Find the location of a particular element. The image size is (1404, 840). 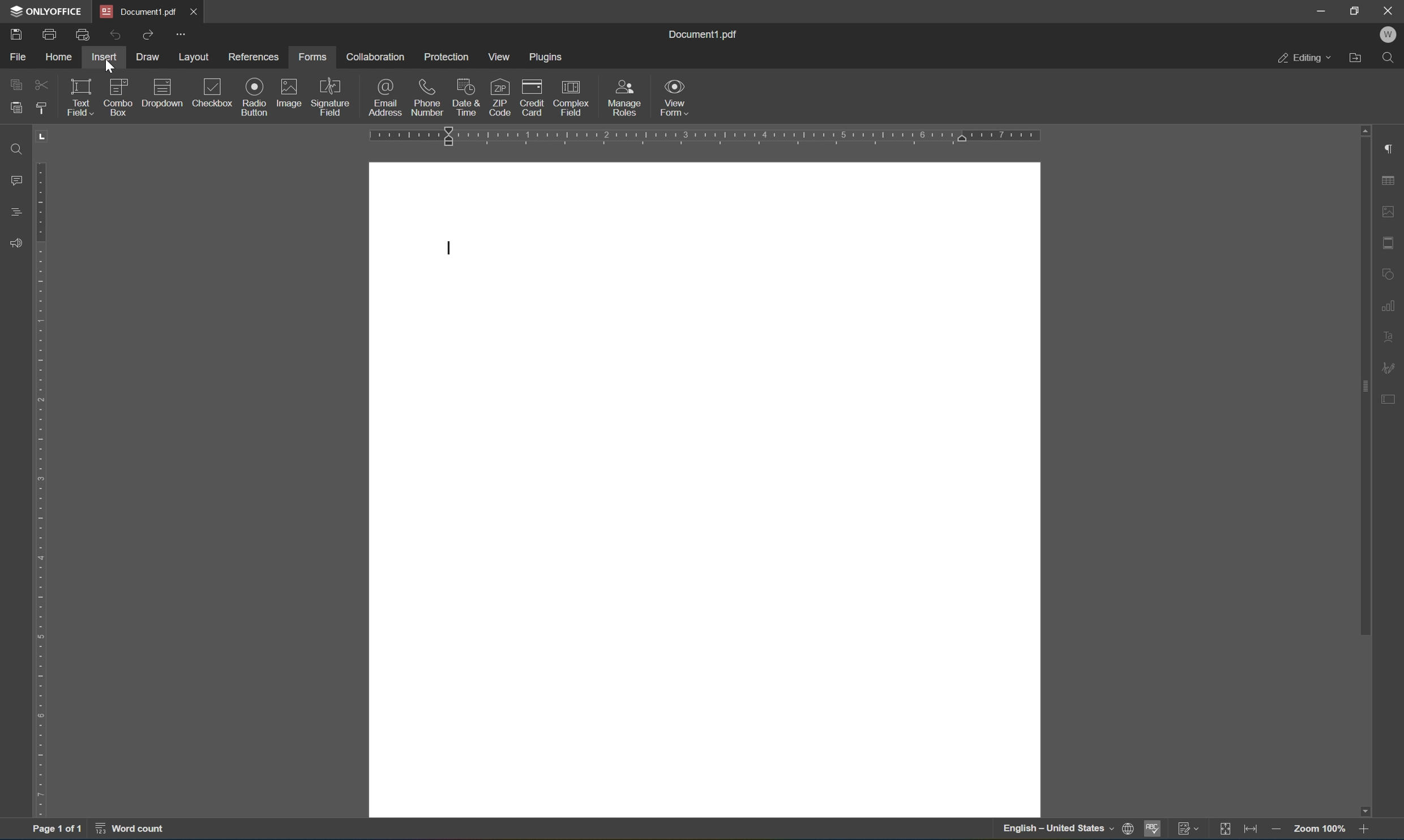

combo box is located at coordinates (118, 98).